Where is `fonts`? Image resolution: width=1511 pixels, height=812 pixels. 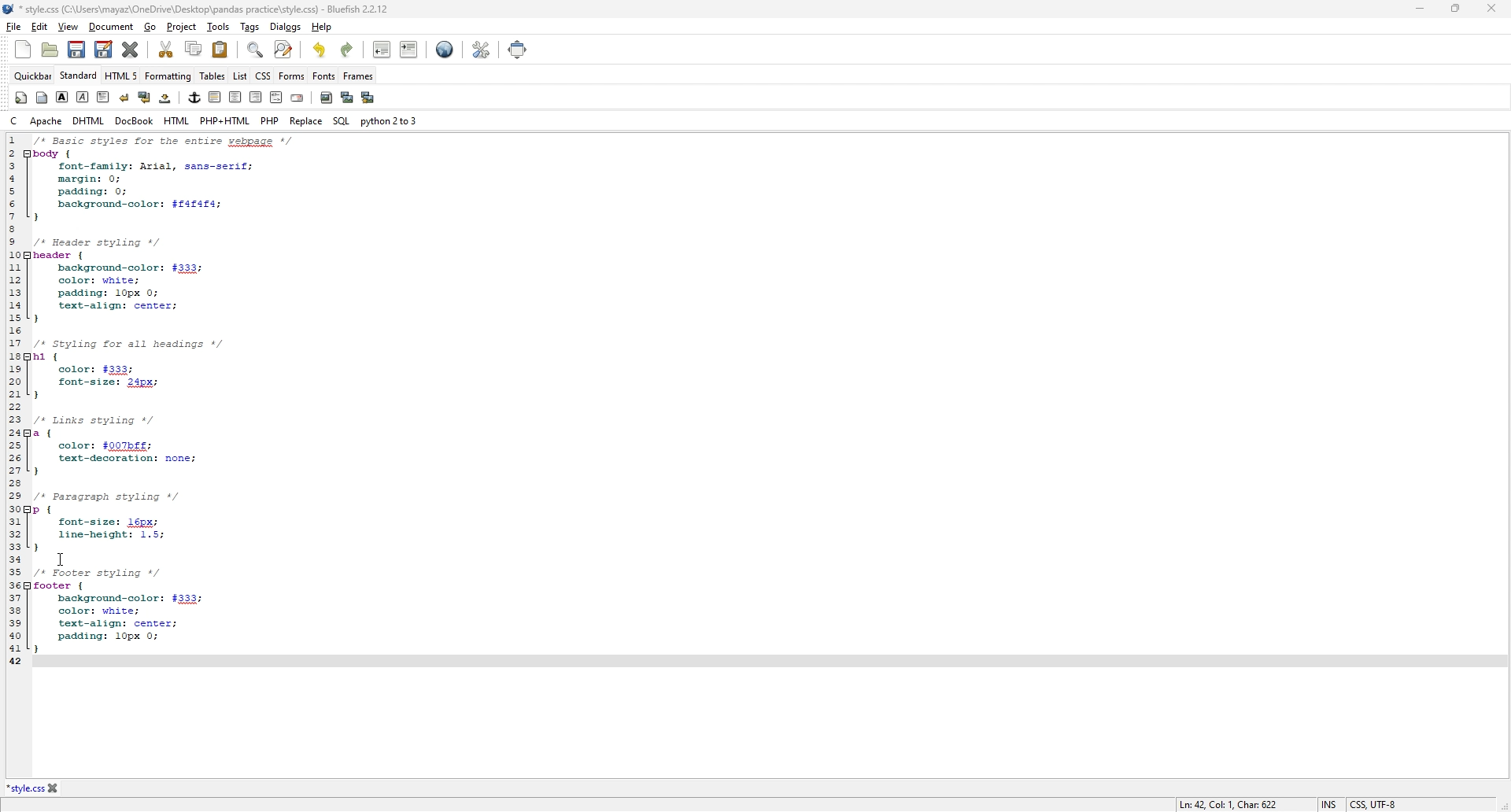
fonts is located at coordinates (323, 76).